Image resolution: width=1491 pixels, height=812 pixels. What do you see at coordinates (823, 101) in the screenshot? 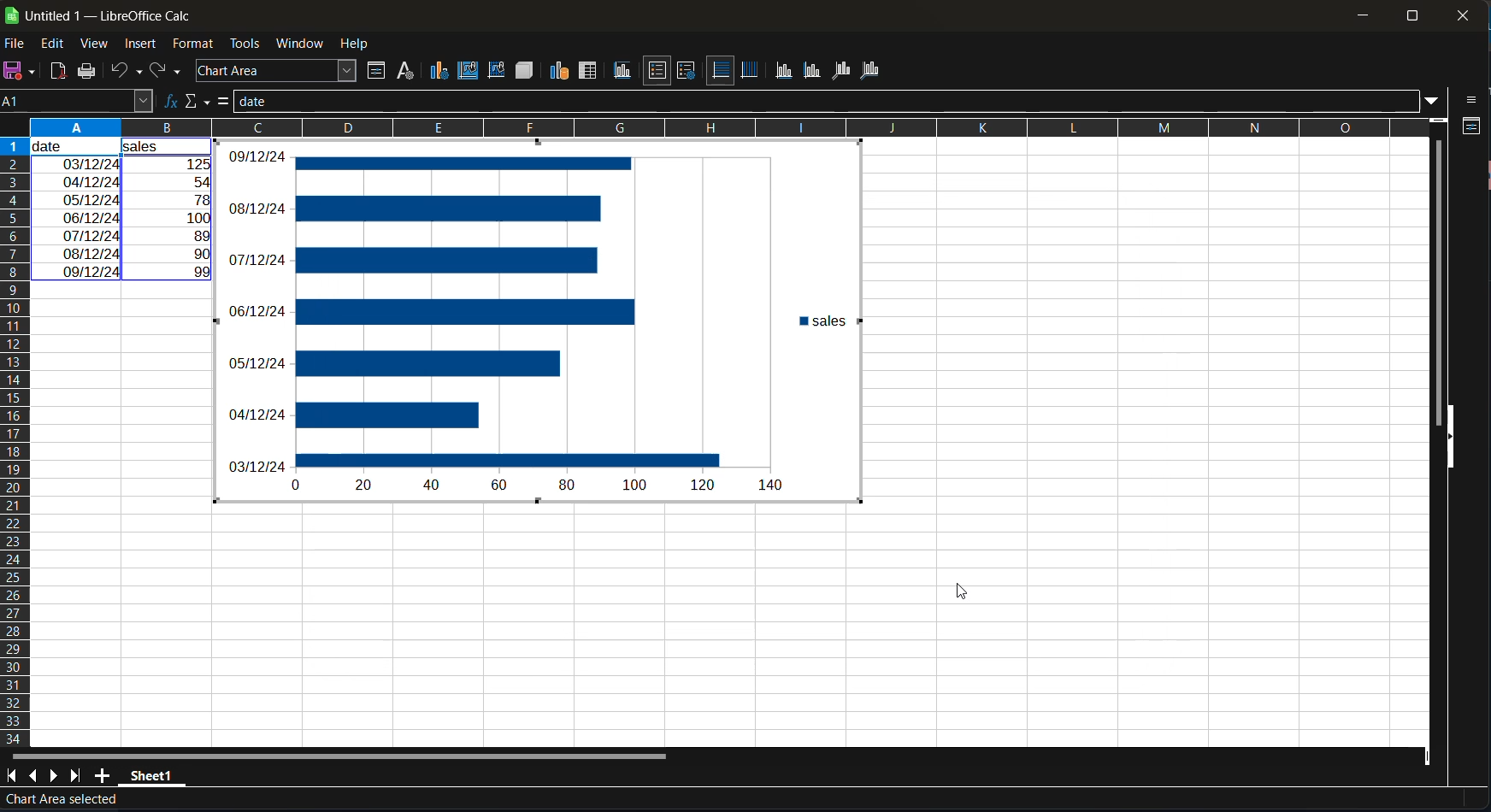
I see `input line` at bounding box center [823, 101].